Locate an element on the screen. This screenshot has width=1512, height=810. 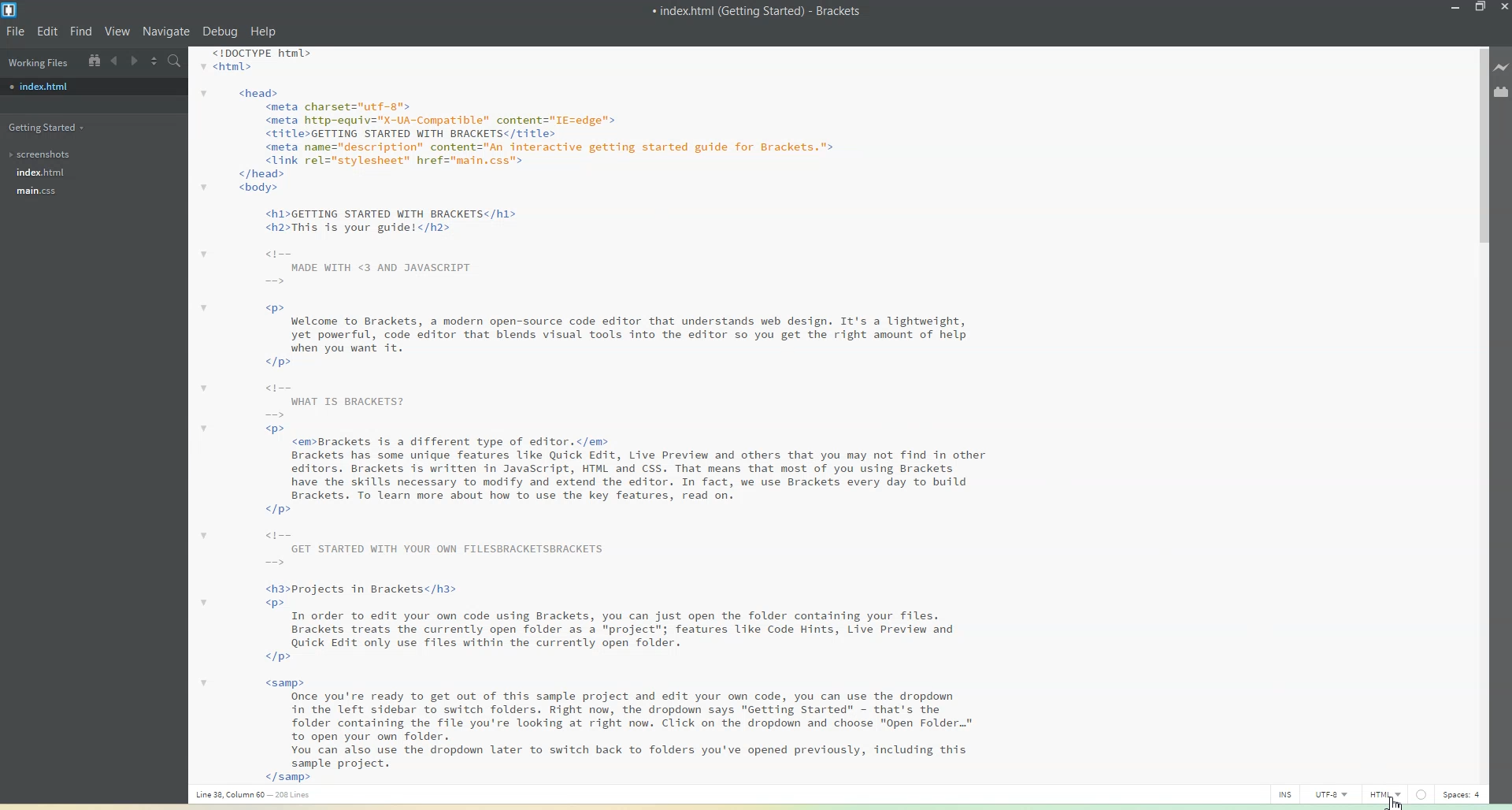
cursor is located at coordinates (1393, 800).